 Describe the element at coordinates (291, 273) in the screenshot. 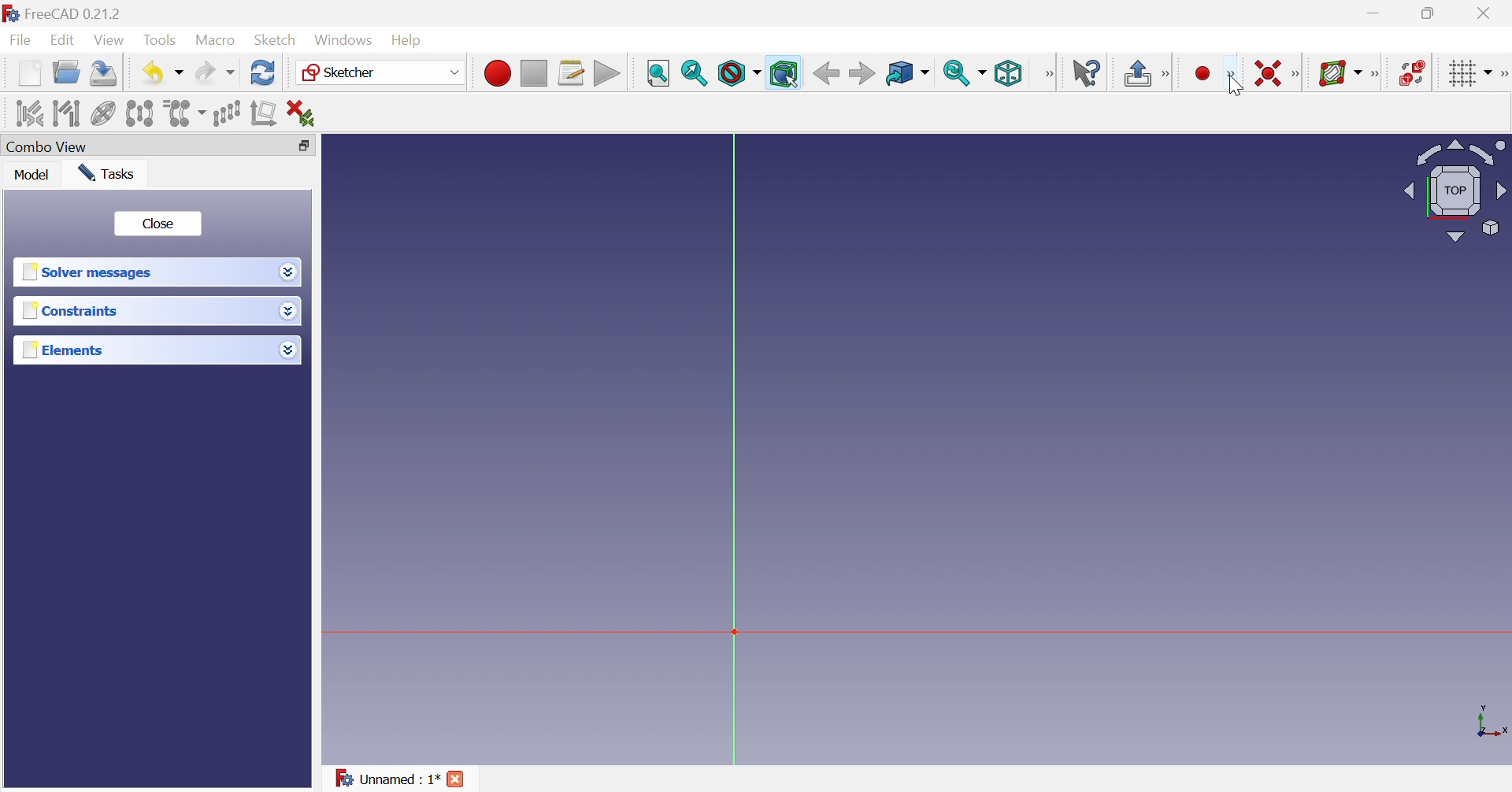

I see `Drop down` at that location.